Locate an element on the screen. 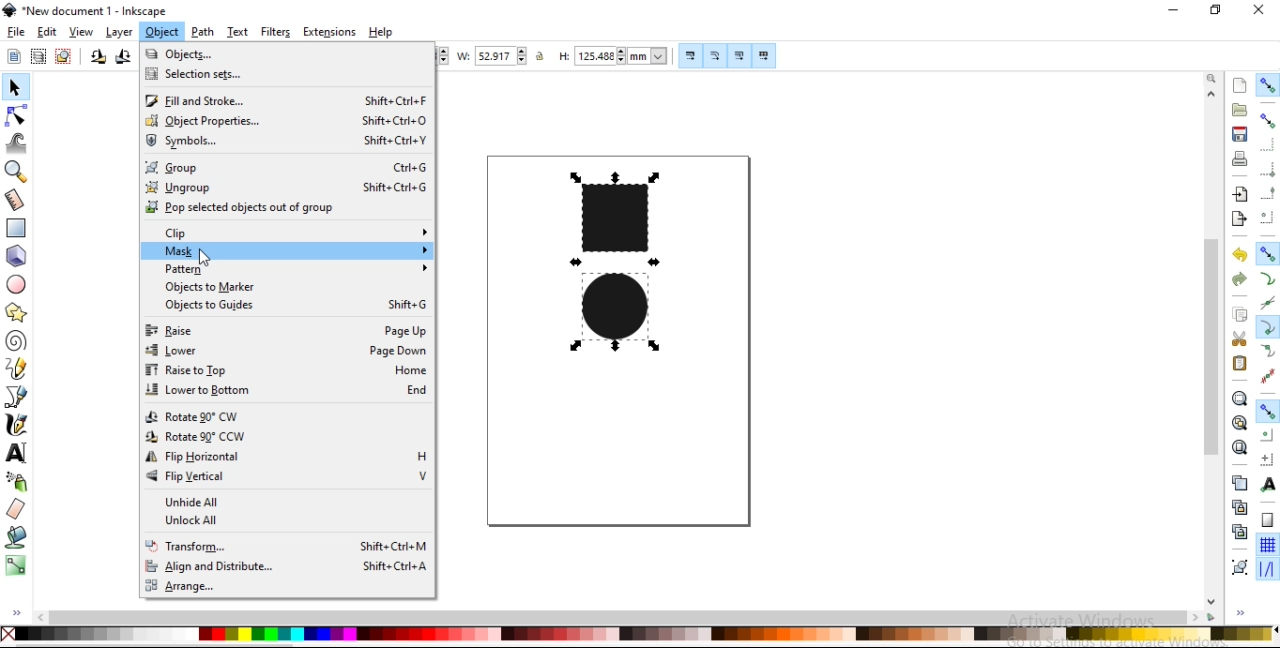 This screenshot has height=648, width=1280. objects to guides is located at coordinates (295, 305).